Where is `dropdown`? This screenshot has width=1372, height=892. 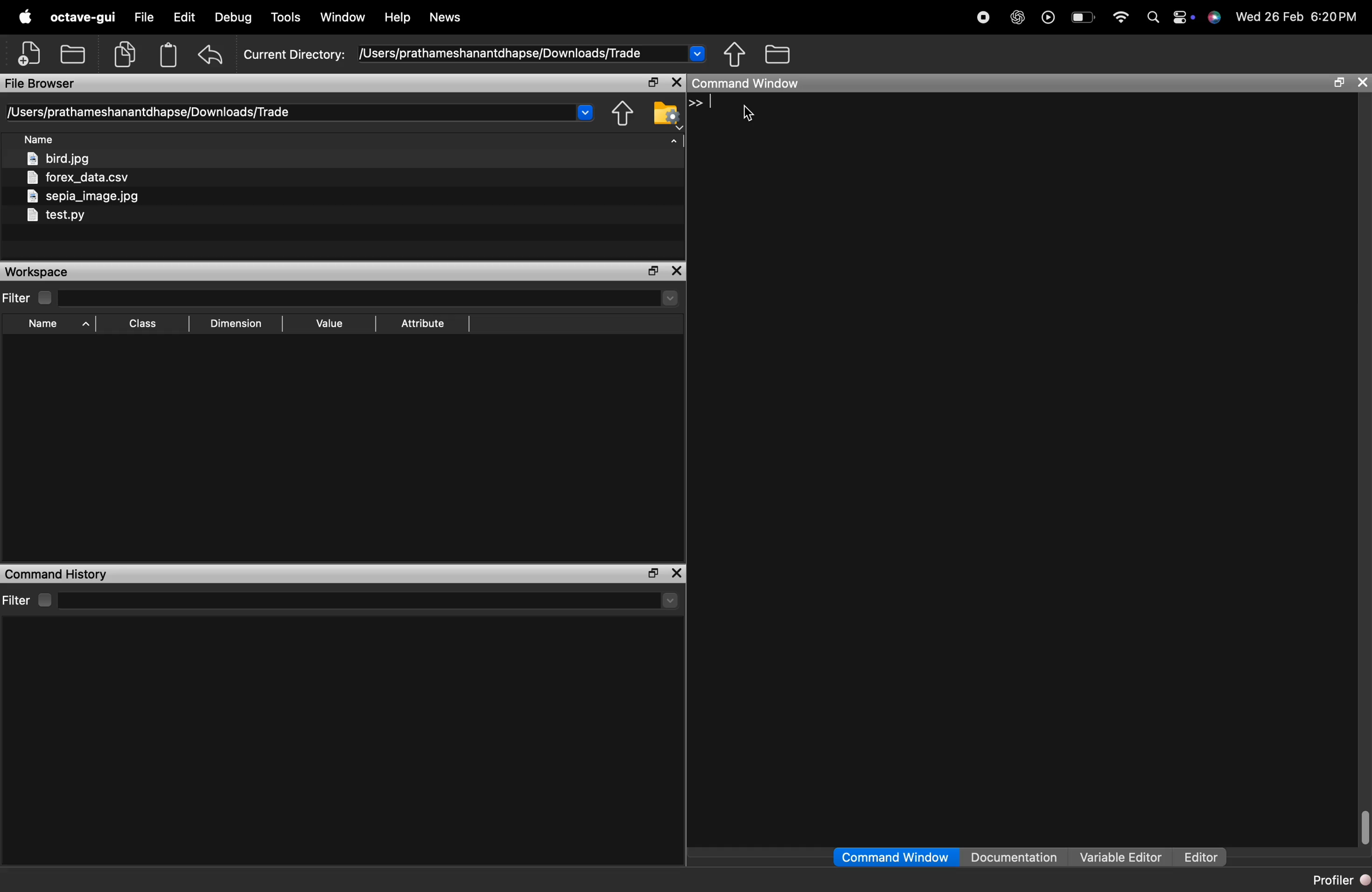
dropdown is located at coordinates (585, 112).